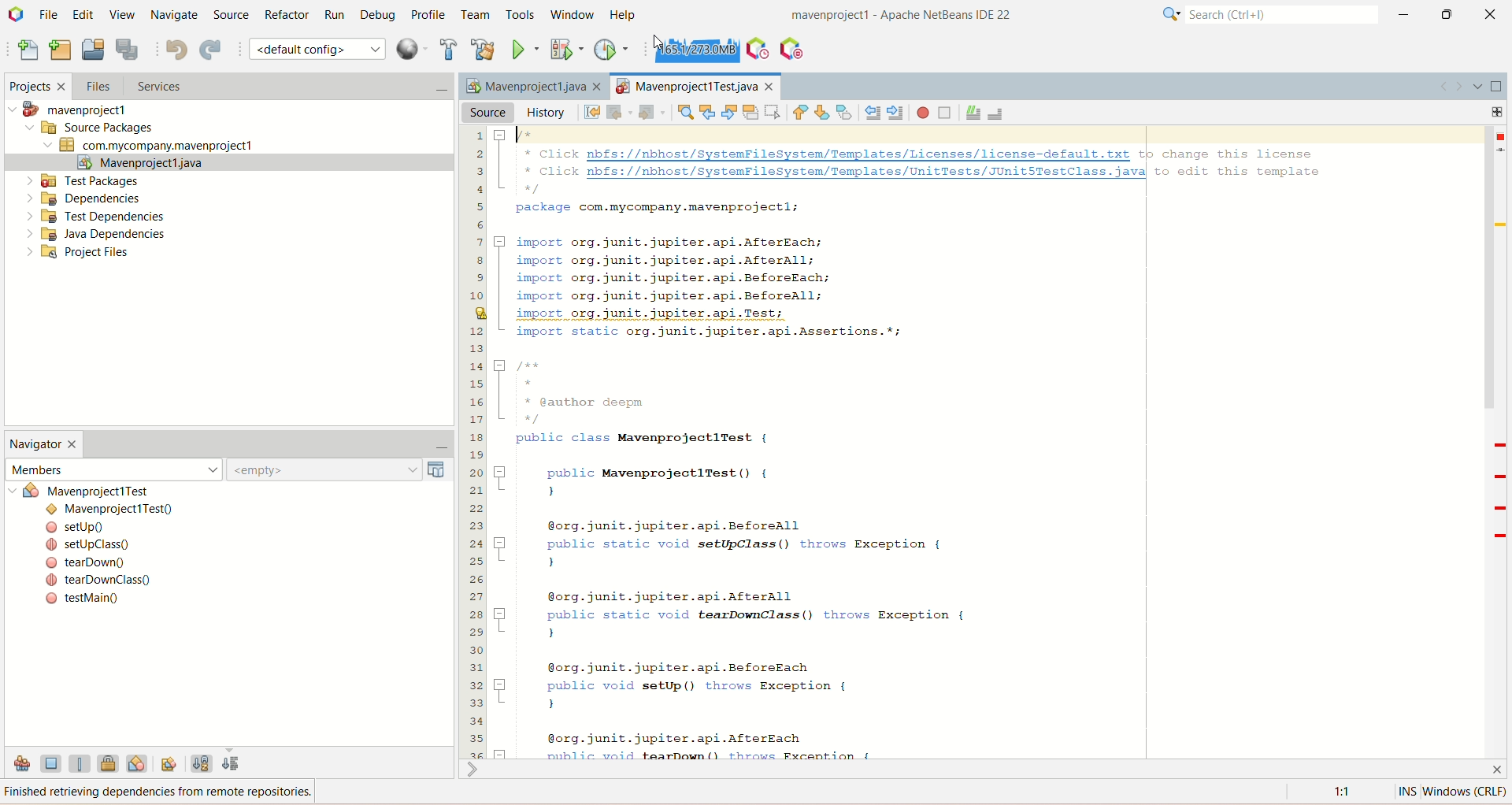 The width and height of the screenshot is (1512, 805). What do you see at coordinates (973, 113) in the screenshot?
I see `comment` at bounding box center [973, 113].